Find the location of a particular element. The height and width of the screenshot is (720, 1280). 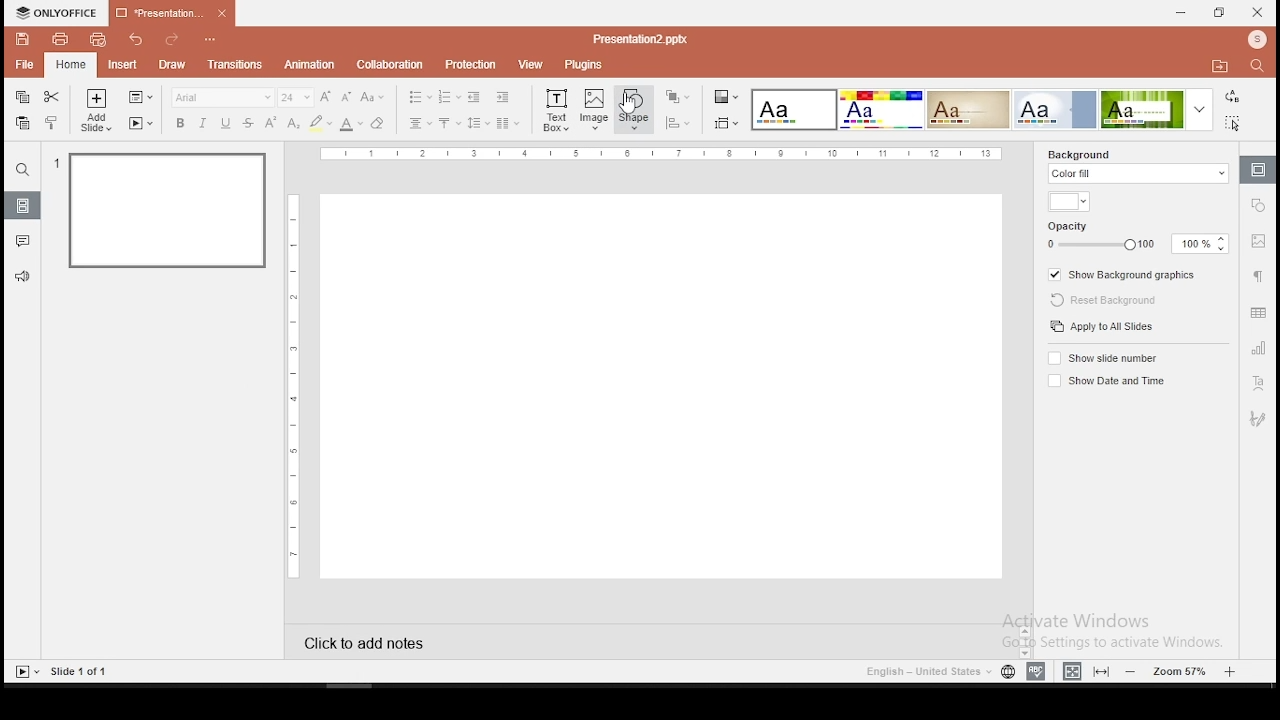

support and feedback is located at coordinates (23, 277).